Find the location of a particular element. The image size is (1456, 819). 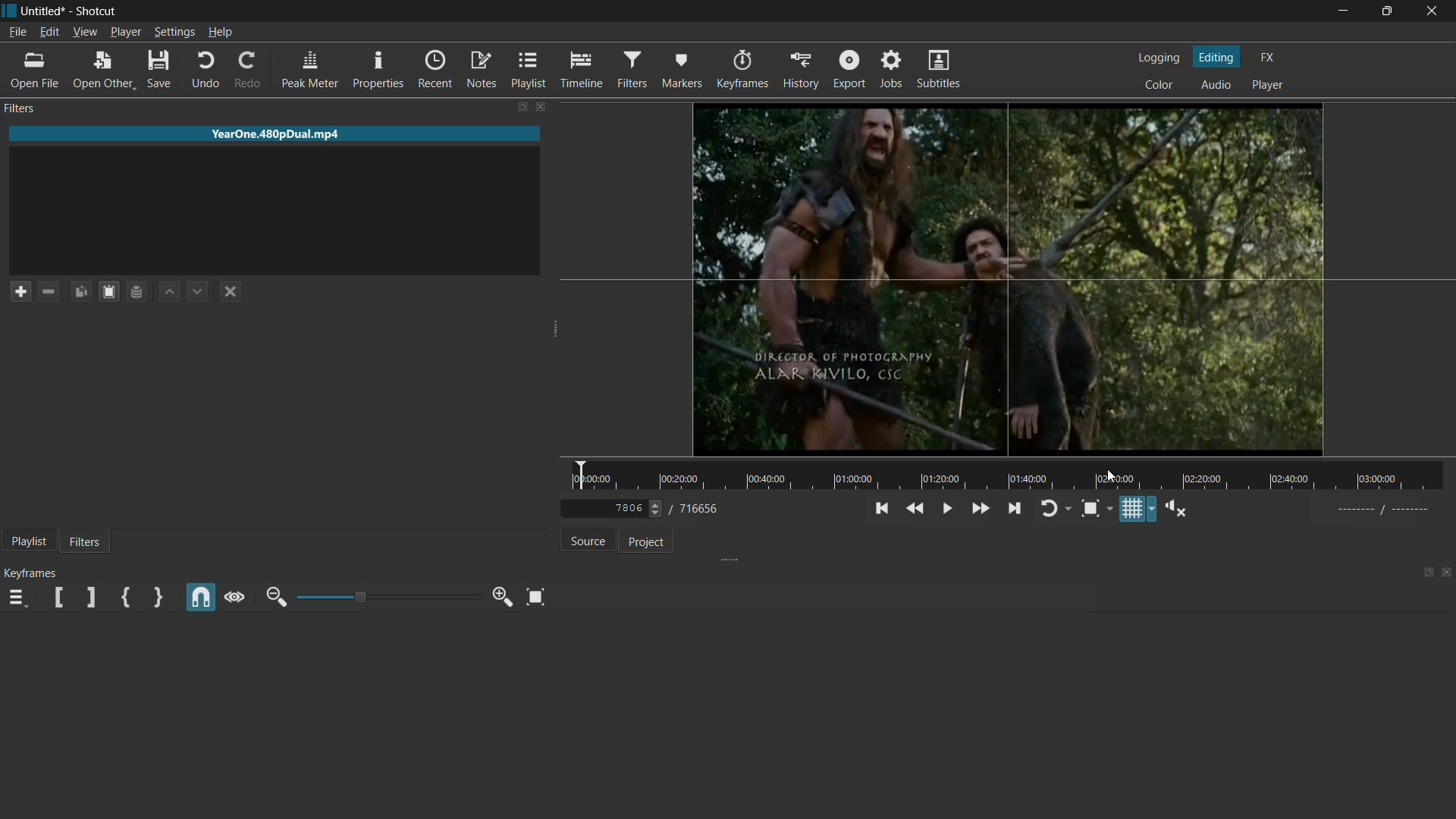

undo is located at coordinates (206, 69).